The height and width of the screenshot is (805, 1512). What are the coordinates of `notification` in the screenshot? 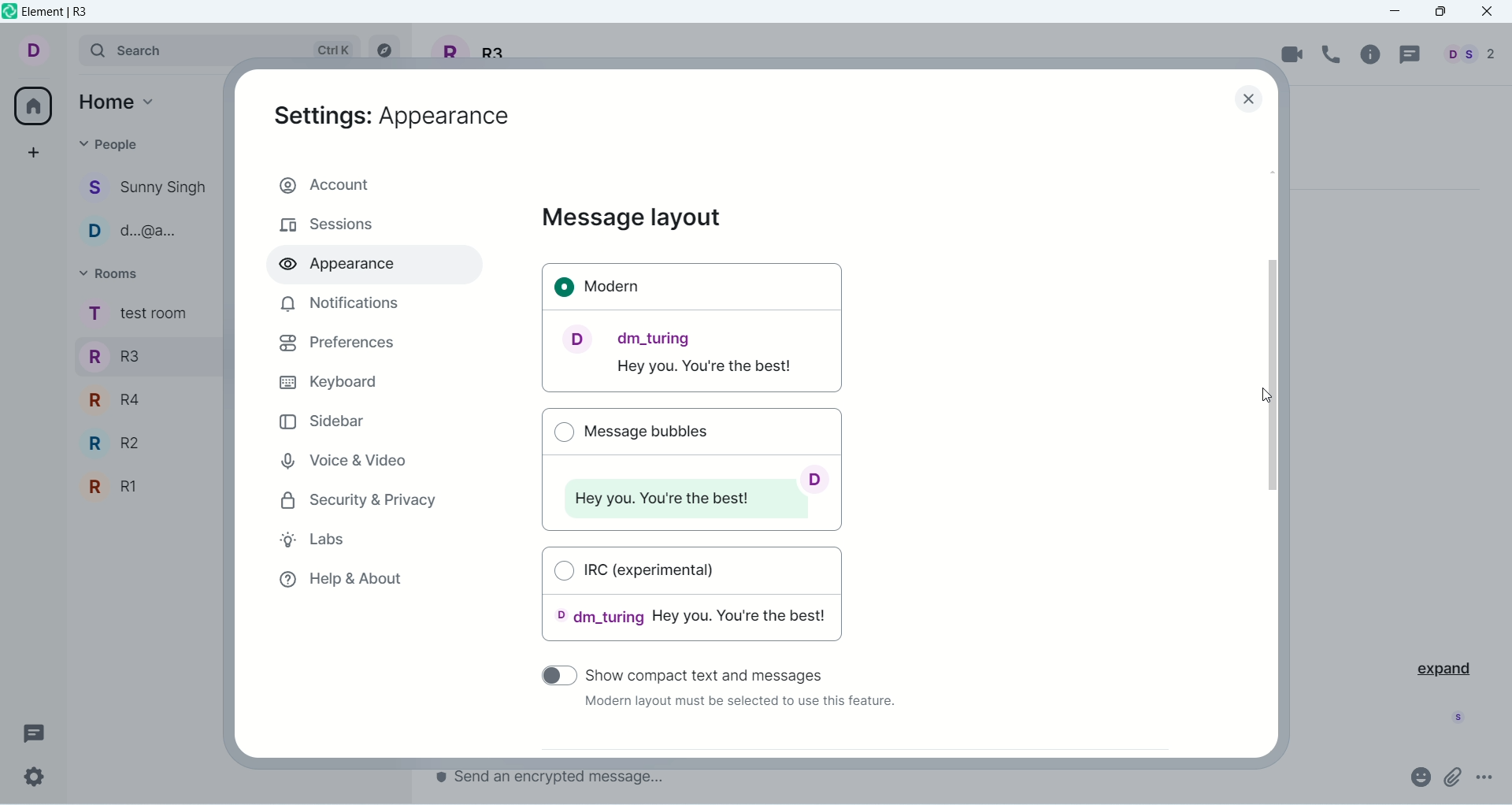 It's located at (336, 303).